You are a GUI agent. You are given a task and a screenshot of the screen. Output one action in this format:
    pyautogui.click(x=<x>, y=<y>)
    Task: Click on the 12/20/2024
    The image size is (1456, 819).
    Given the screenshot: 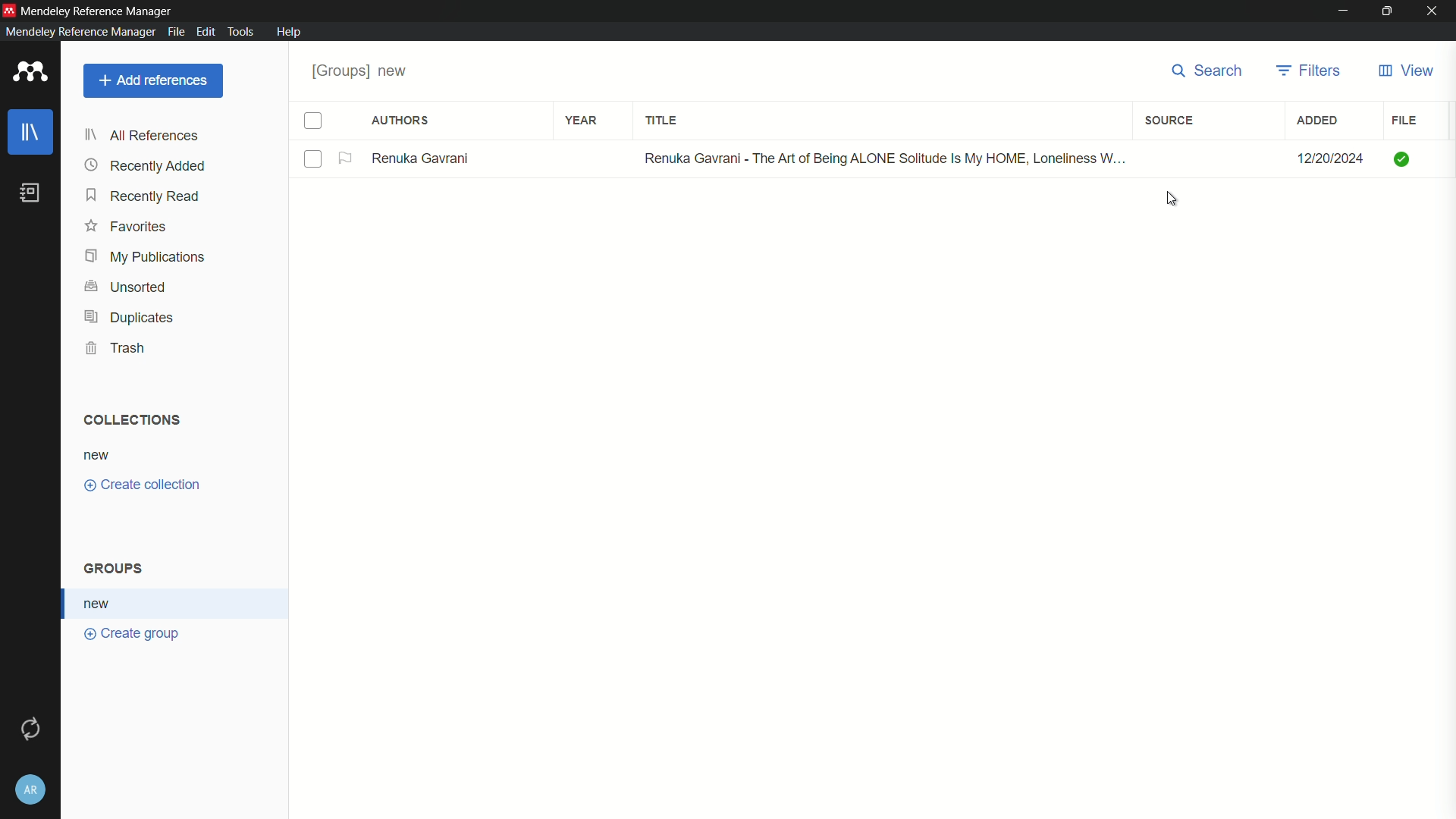 What is the action you would take?
    pyautogui.click(x=1329, y=156)
    